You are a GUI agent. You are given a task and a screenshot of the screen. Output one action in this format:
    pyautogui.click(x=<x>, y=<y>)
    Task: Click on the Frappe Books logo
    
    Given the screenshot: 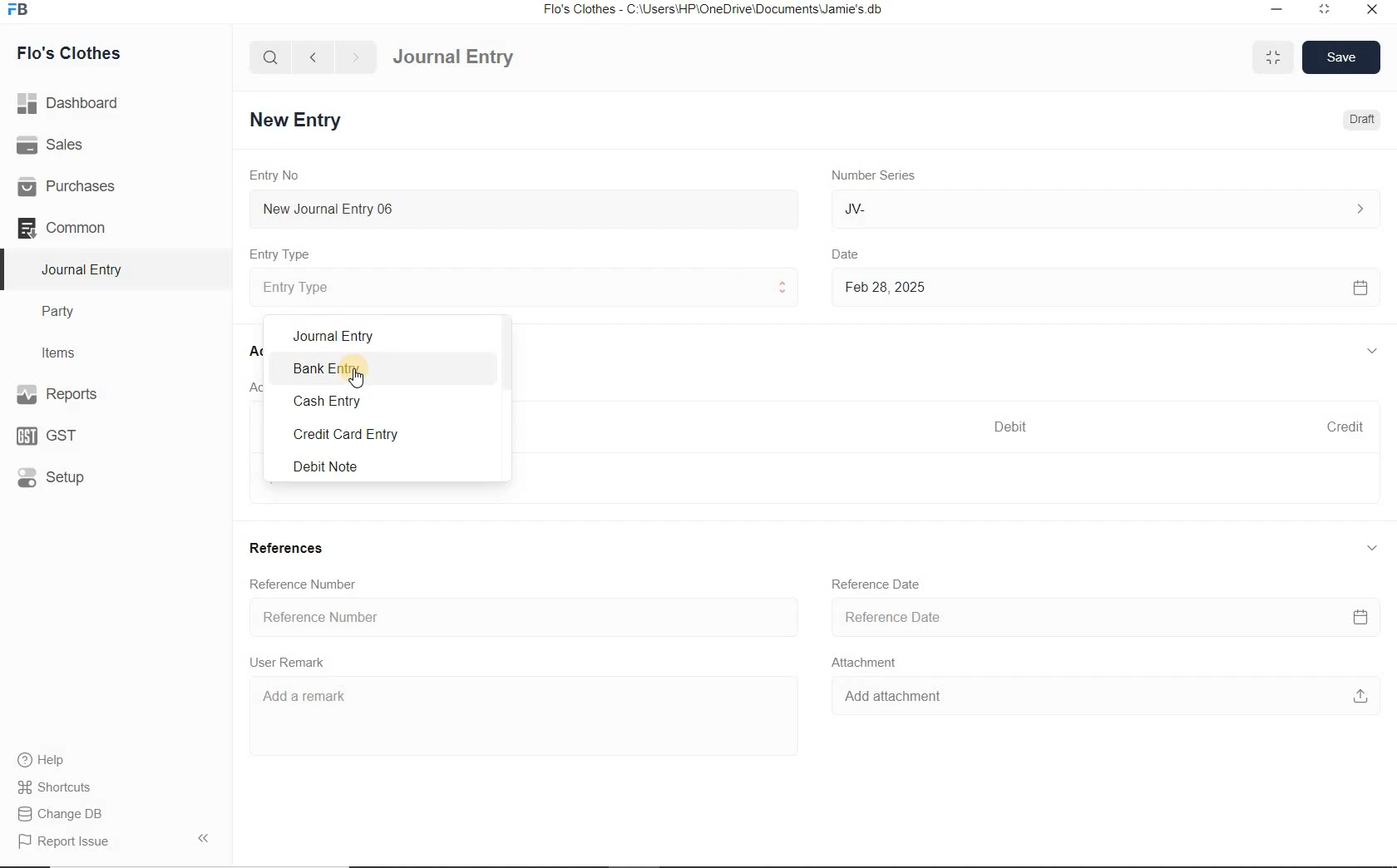 What is the action you would take?
    pyautogui.click(x=22, y=12)
    